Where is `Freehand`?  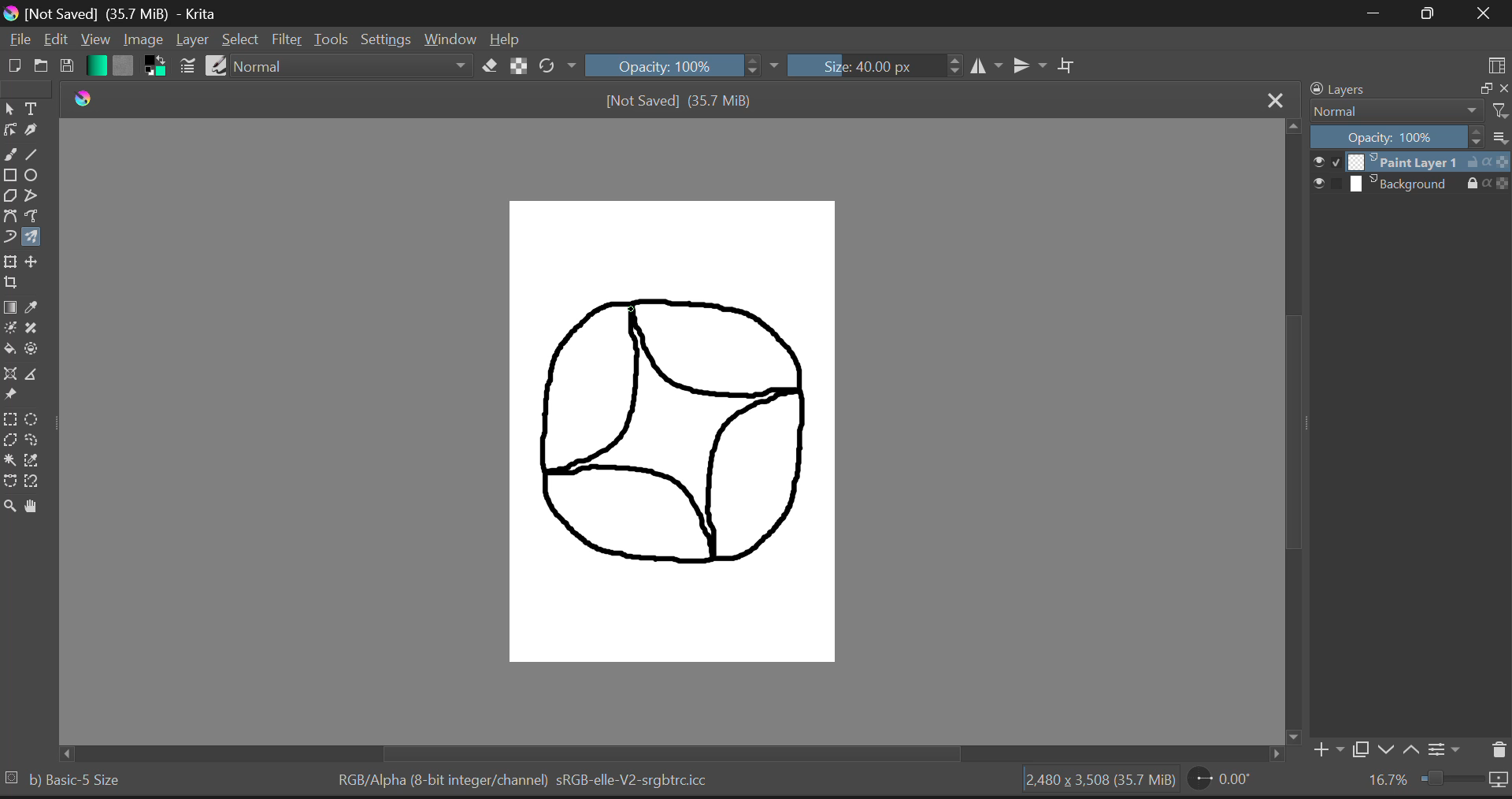 Freehand is located at coordinates (9, 153).